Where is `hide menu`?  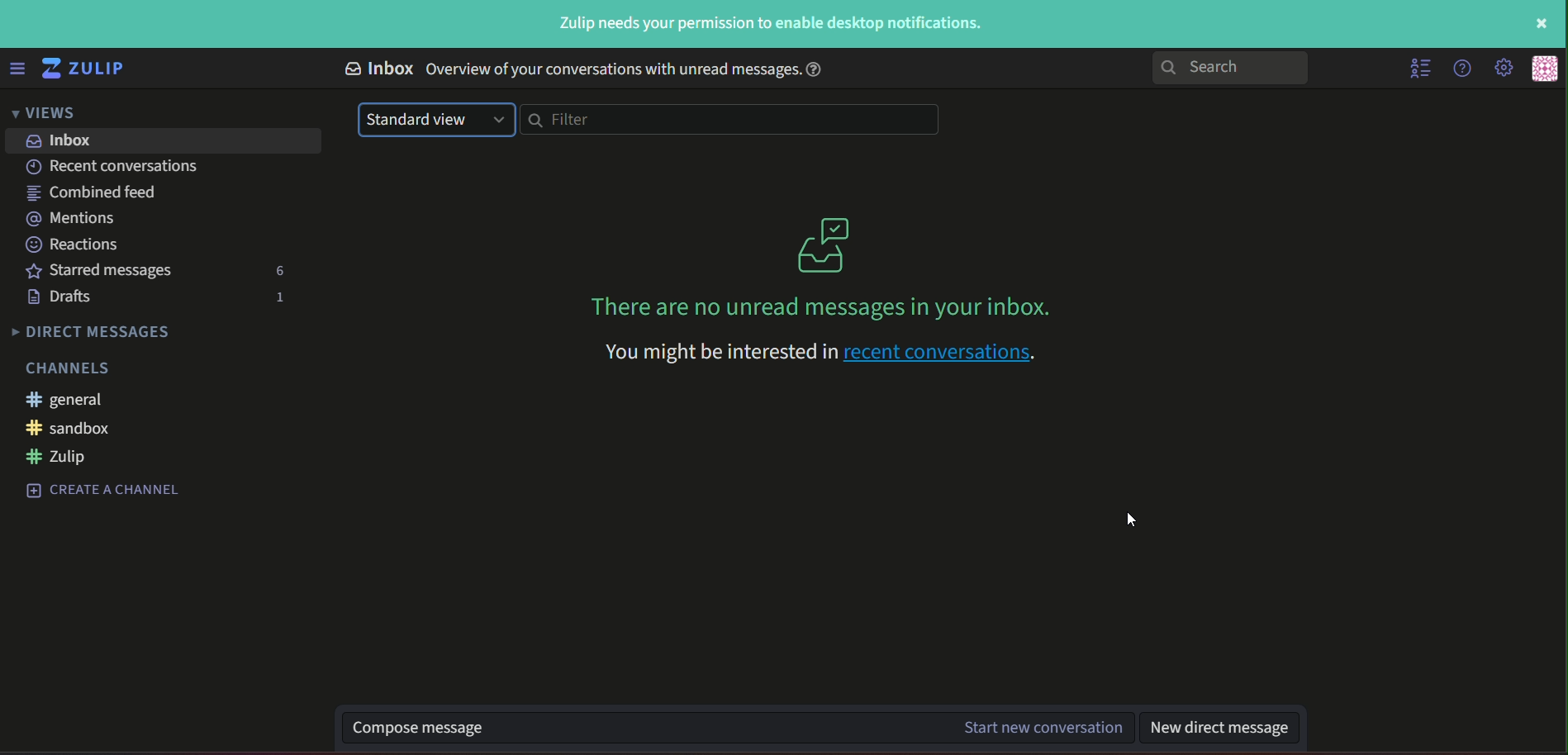 hide menu is located at coordinates (1419, 68).